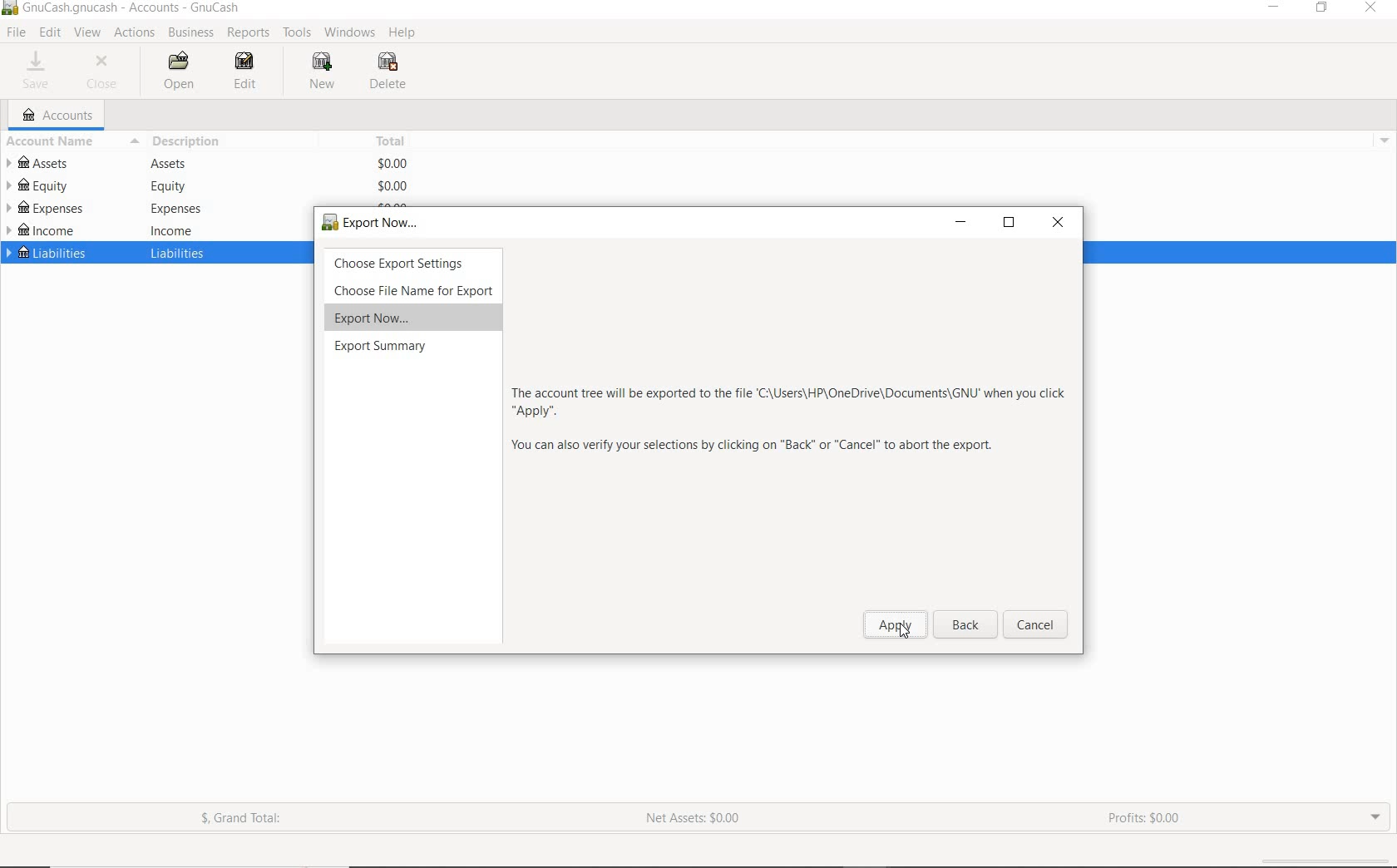 Image resolution: width=1397 pixels, height=868 pixels. Describe the element at coordinates (42, 162) in the screenshot. I see `ASSETS` at that location.